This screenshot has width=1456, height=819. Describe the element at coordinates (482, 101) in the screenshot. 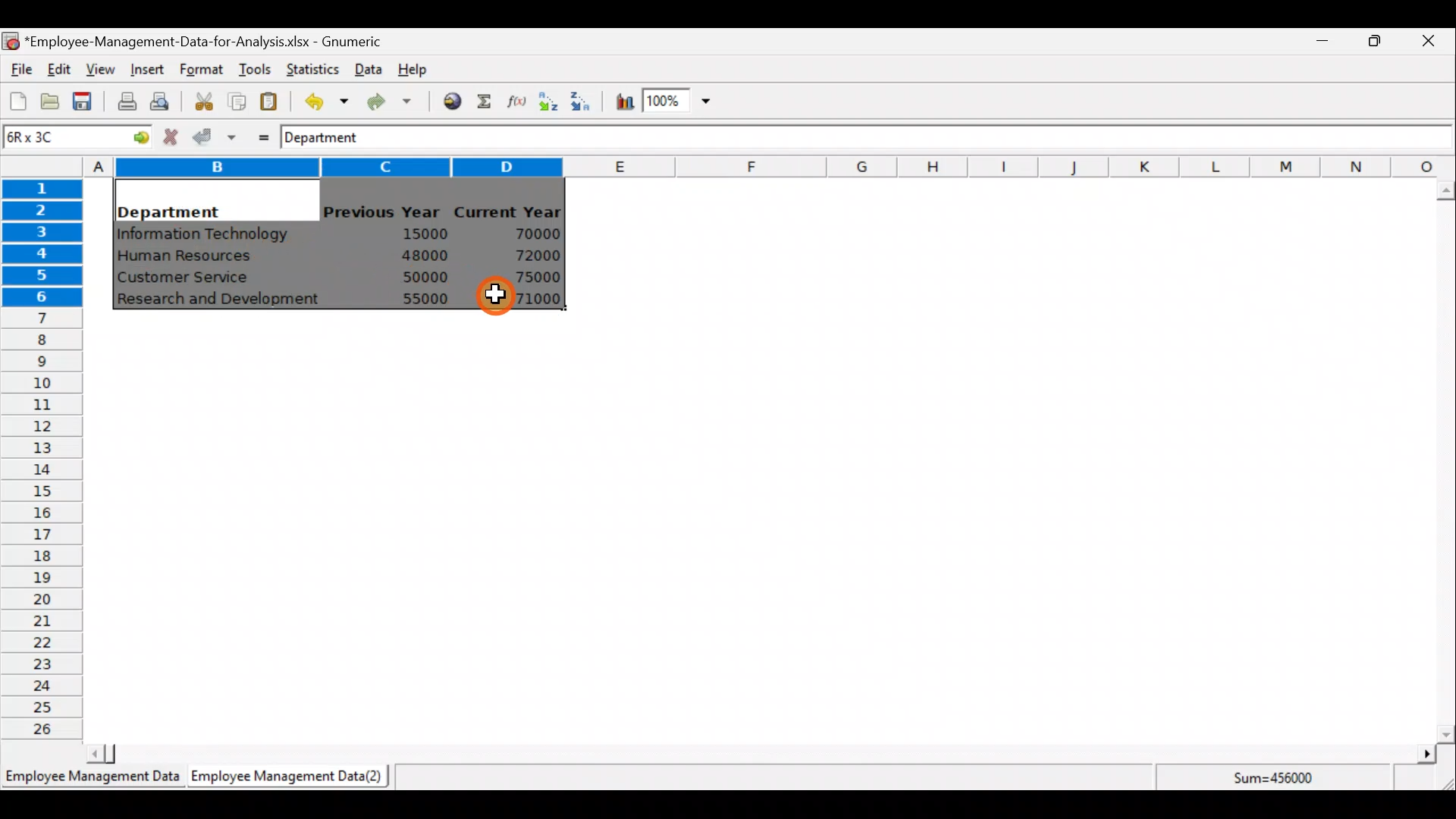

I see `Sum into the current cell` at that location.